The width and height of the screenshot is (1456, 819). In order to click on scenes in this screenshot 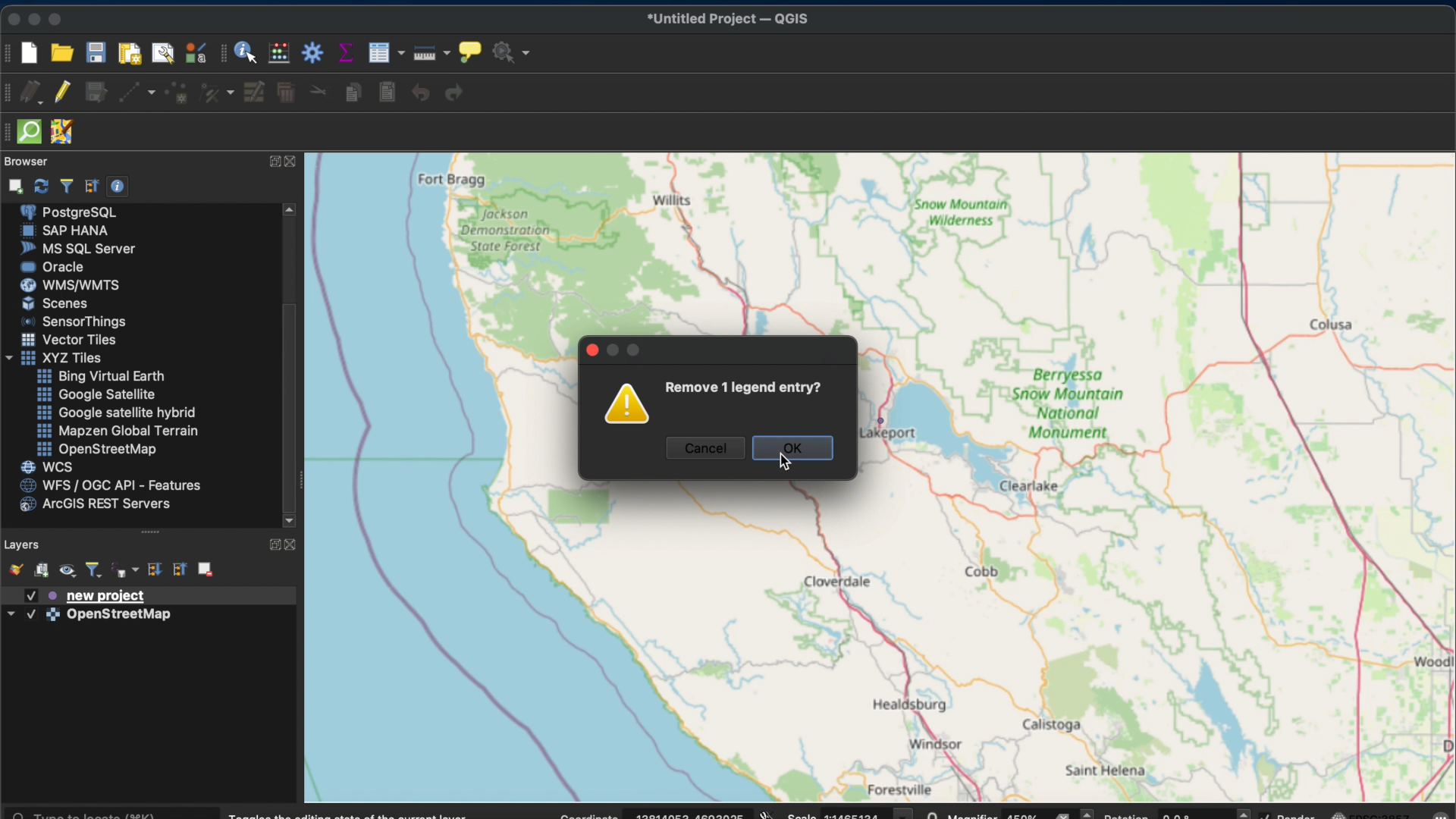, I will do `click(54, 303)`.